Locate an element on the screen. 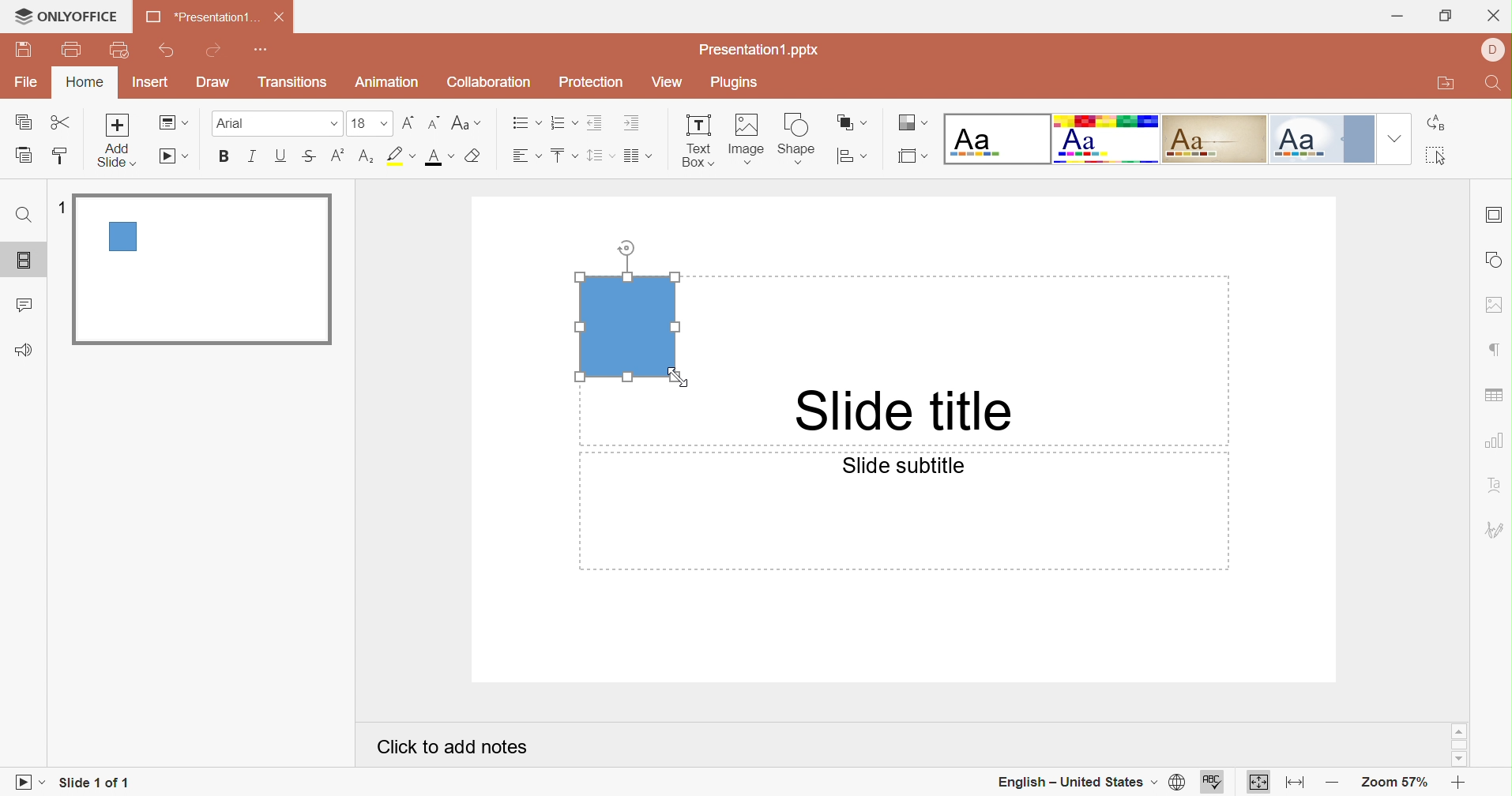 The height and width of the screenshot is (796, 1512). Zoom 57% is located at coordinates (1396, 784).